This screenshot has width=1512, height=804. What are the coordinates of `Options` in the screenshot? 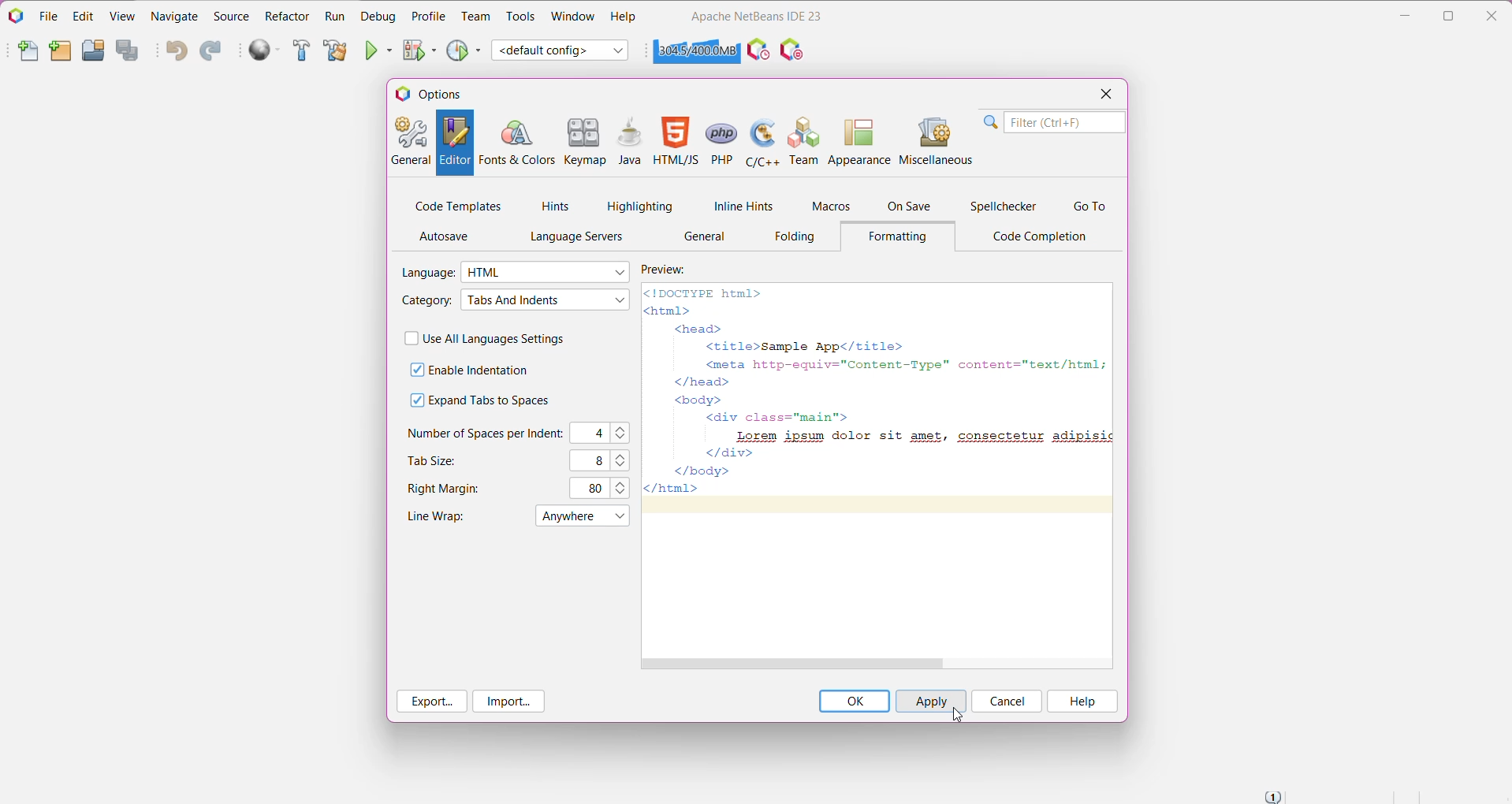 It's located at (439, 93).